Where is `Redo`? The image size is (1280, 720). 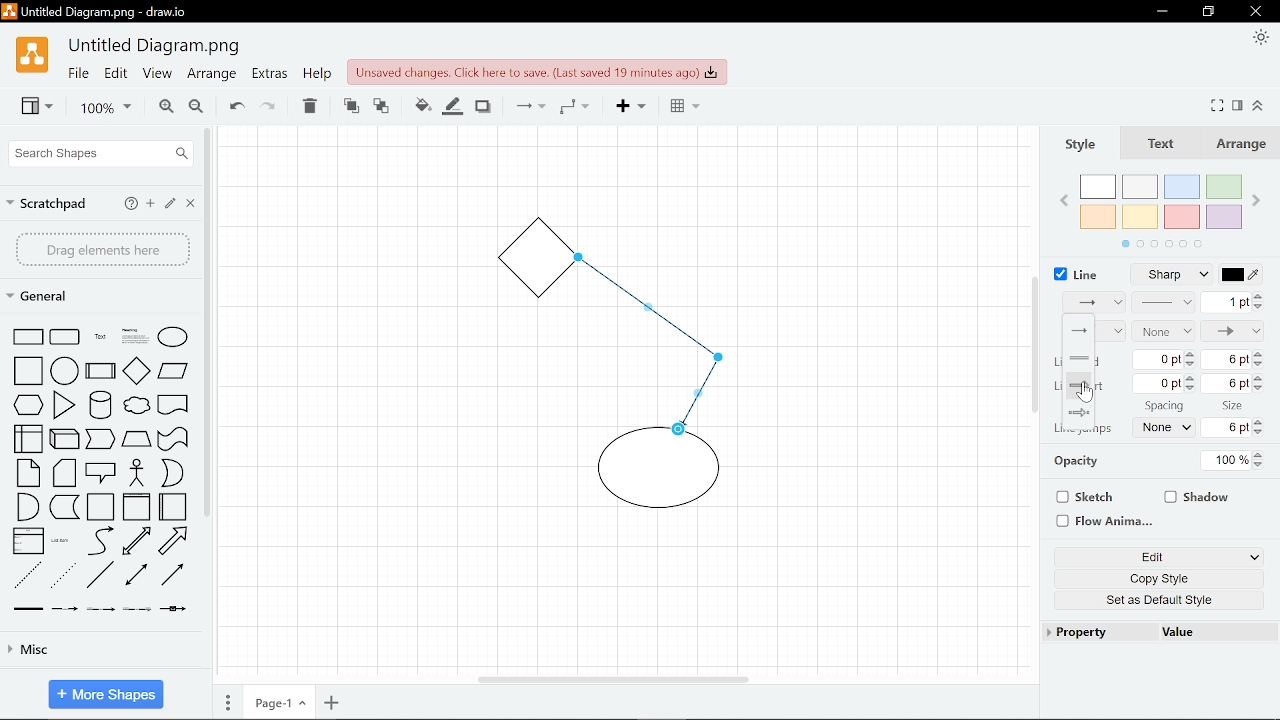
Redo is located at coordinates (270, 106).